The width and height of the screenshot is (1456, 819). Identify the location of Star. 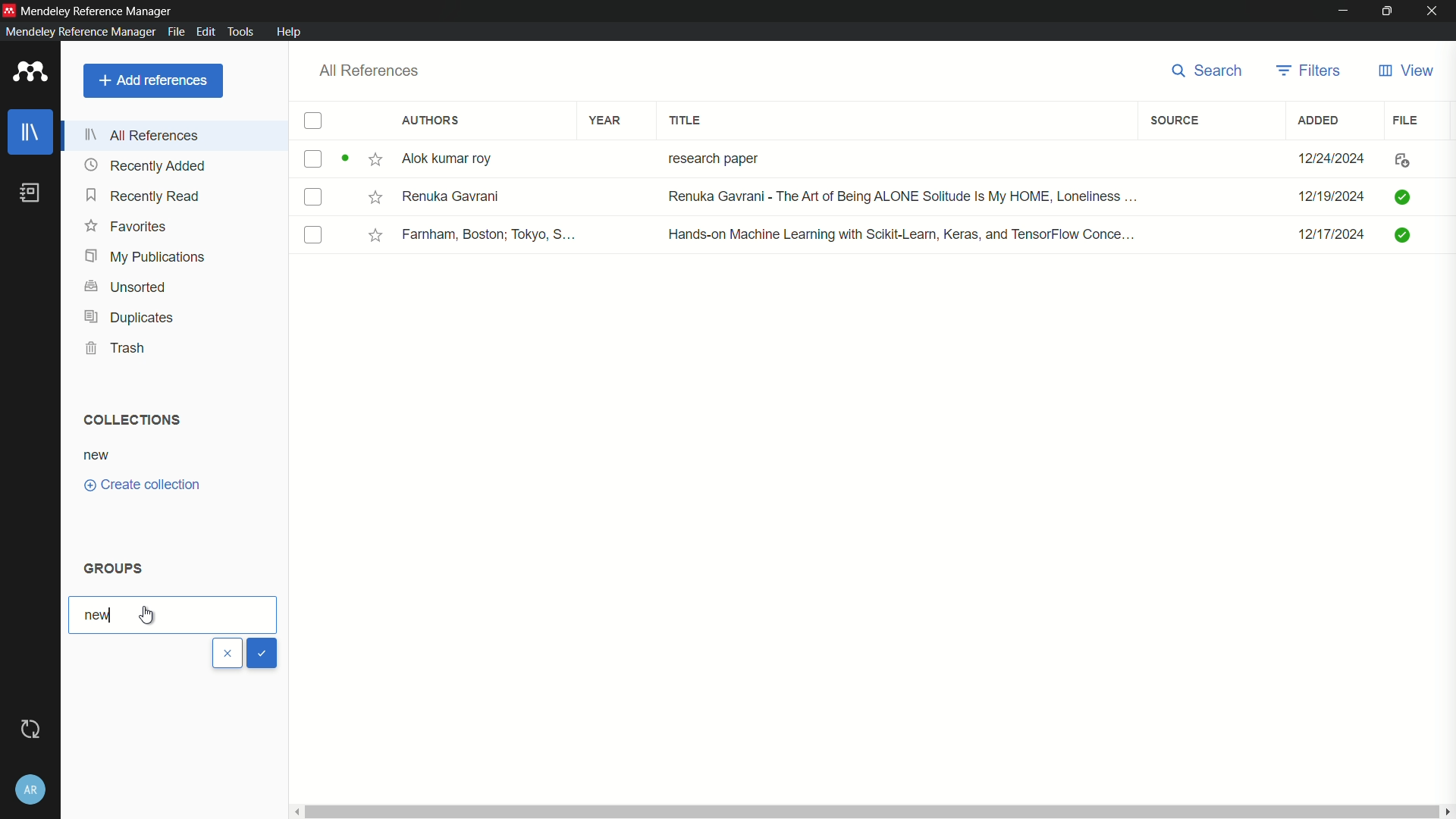
(362, 160).